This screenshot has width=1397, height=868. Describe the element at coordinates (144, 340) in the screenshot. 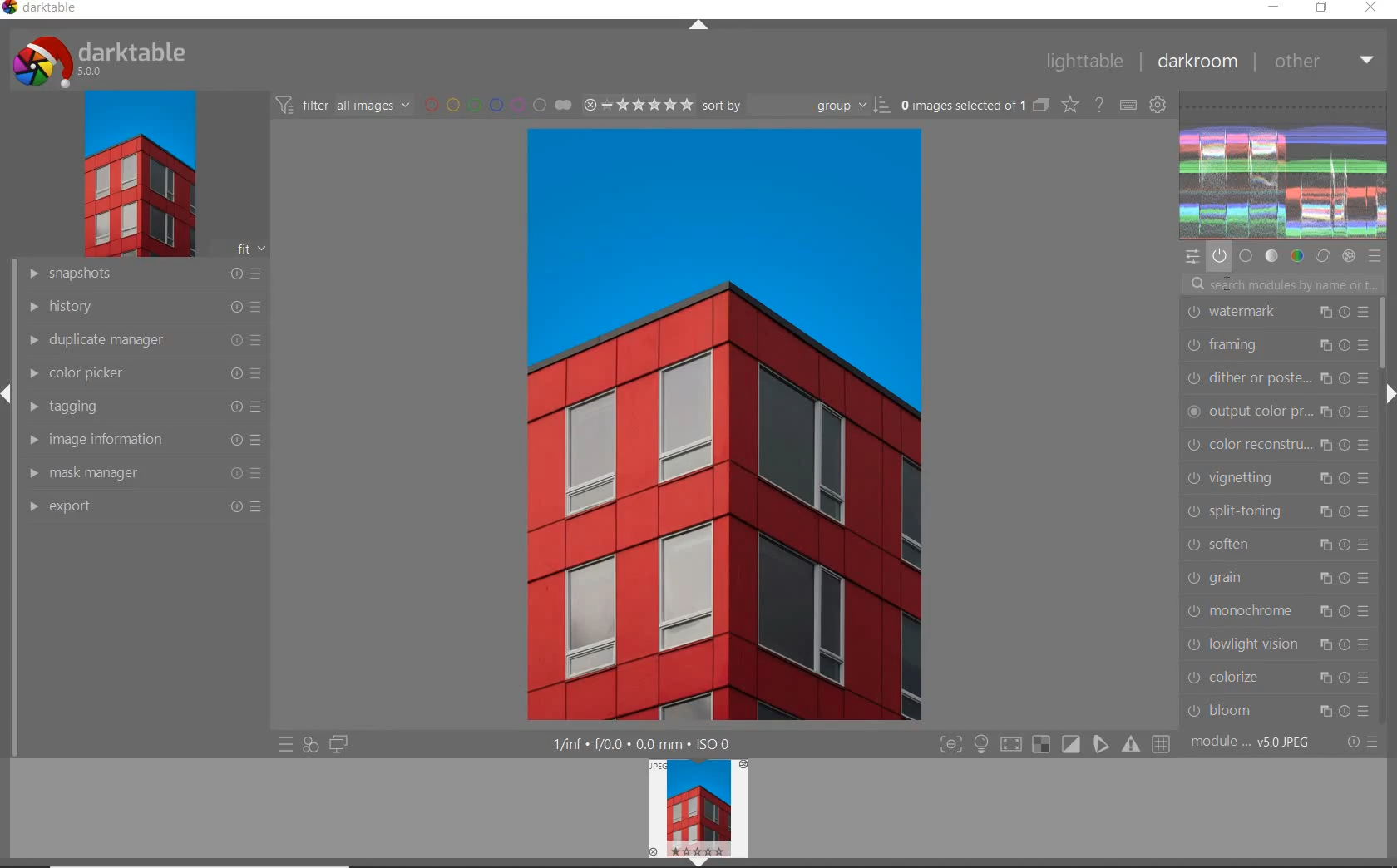

I see `duplicate manager` at that location.